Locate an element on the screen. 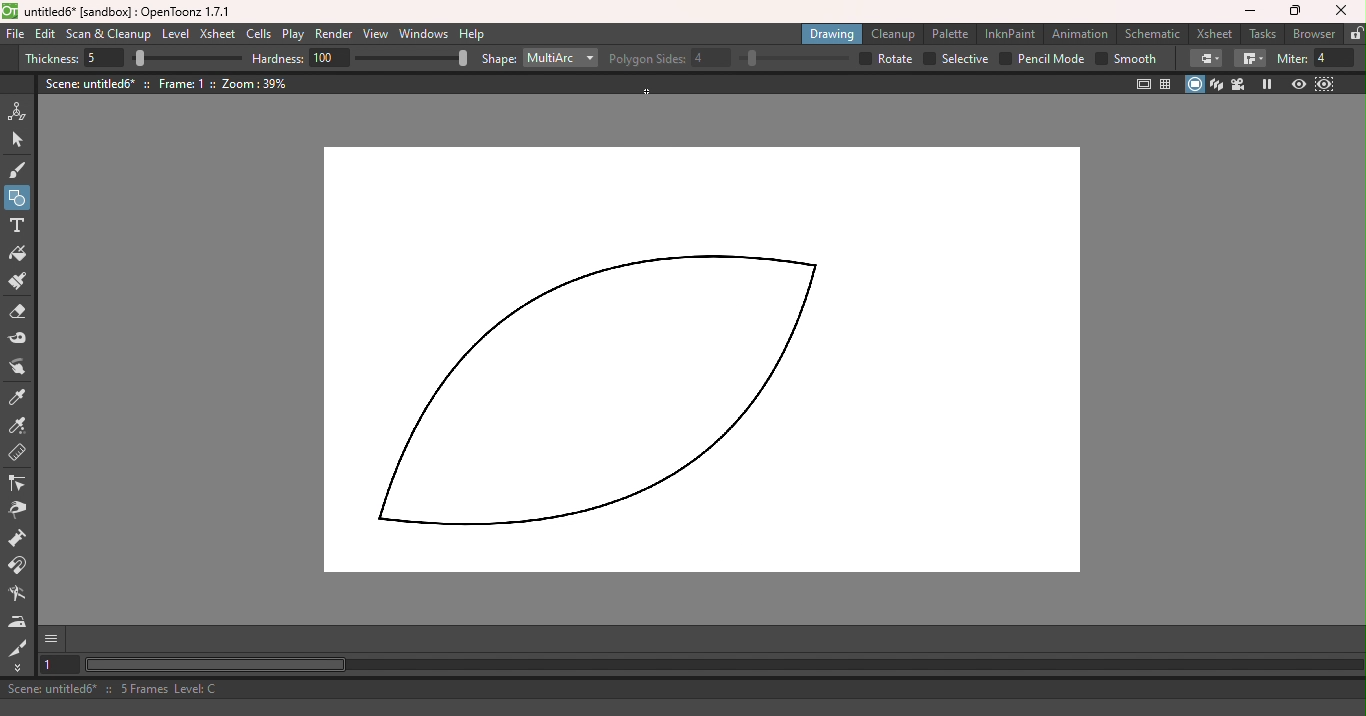  Render is located at coordinates (335, 35).